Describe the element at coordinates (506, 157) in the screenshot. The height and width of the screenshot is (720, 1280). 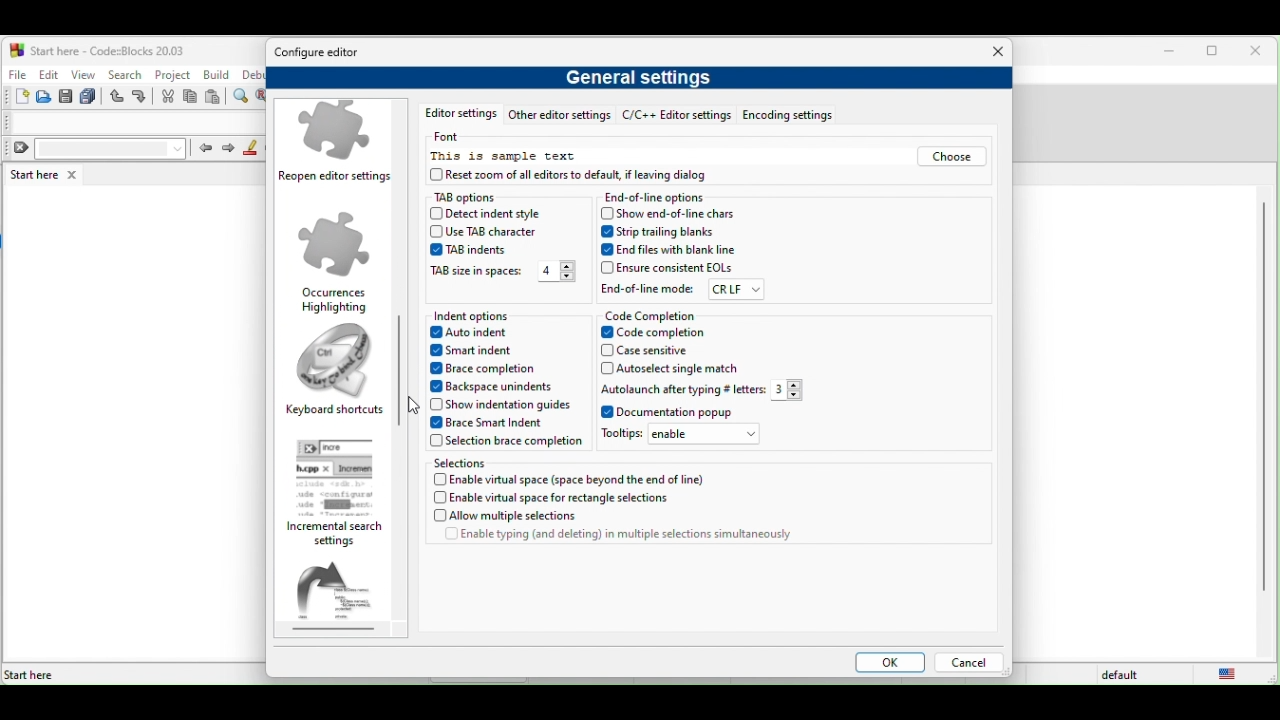
I see `this is sample text` at that location.